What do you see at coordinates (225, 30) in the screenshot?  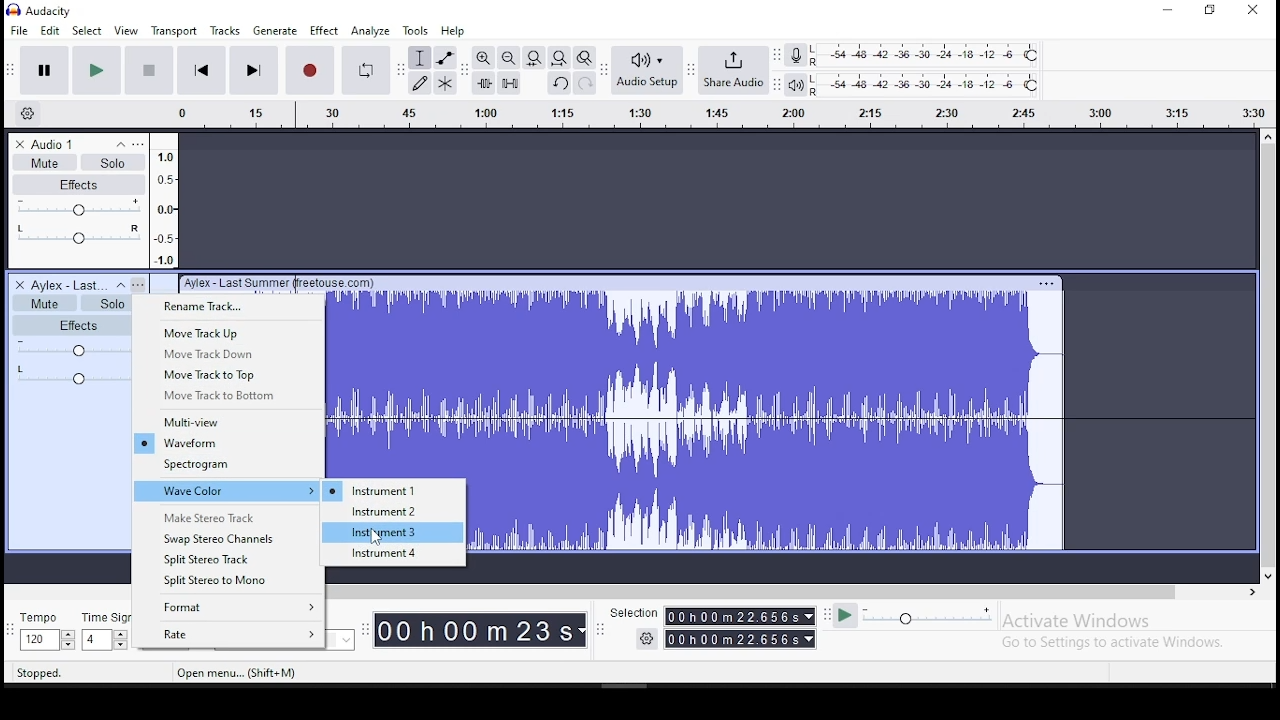 I see `tracks` at bounding box center [225, 30].